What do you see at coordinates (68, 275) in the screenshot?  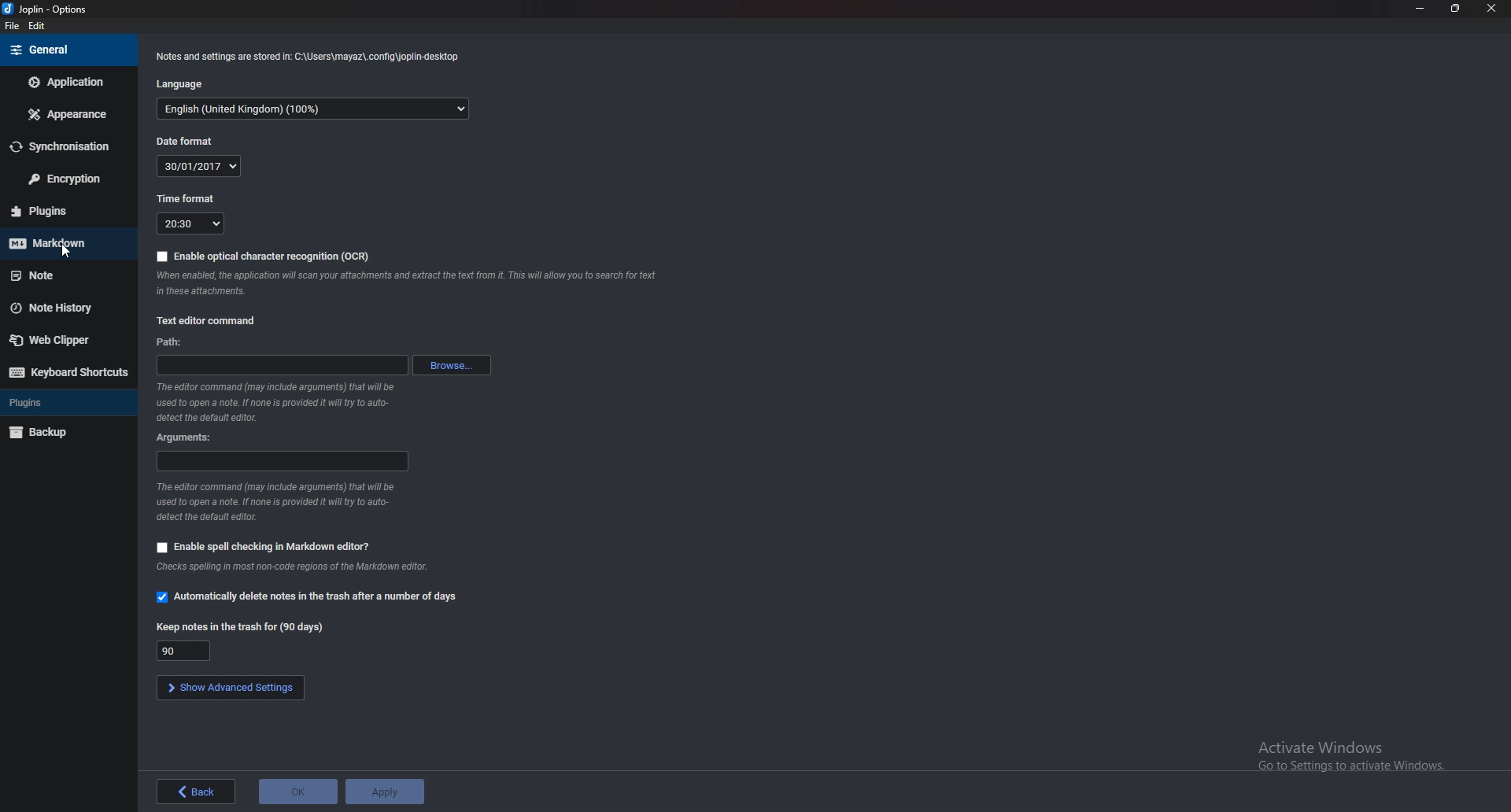 I see `Note` at bounding box center [68, 275].